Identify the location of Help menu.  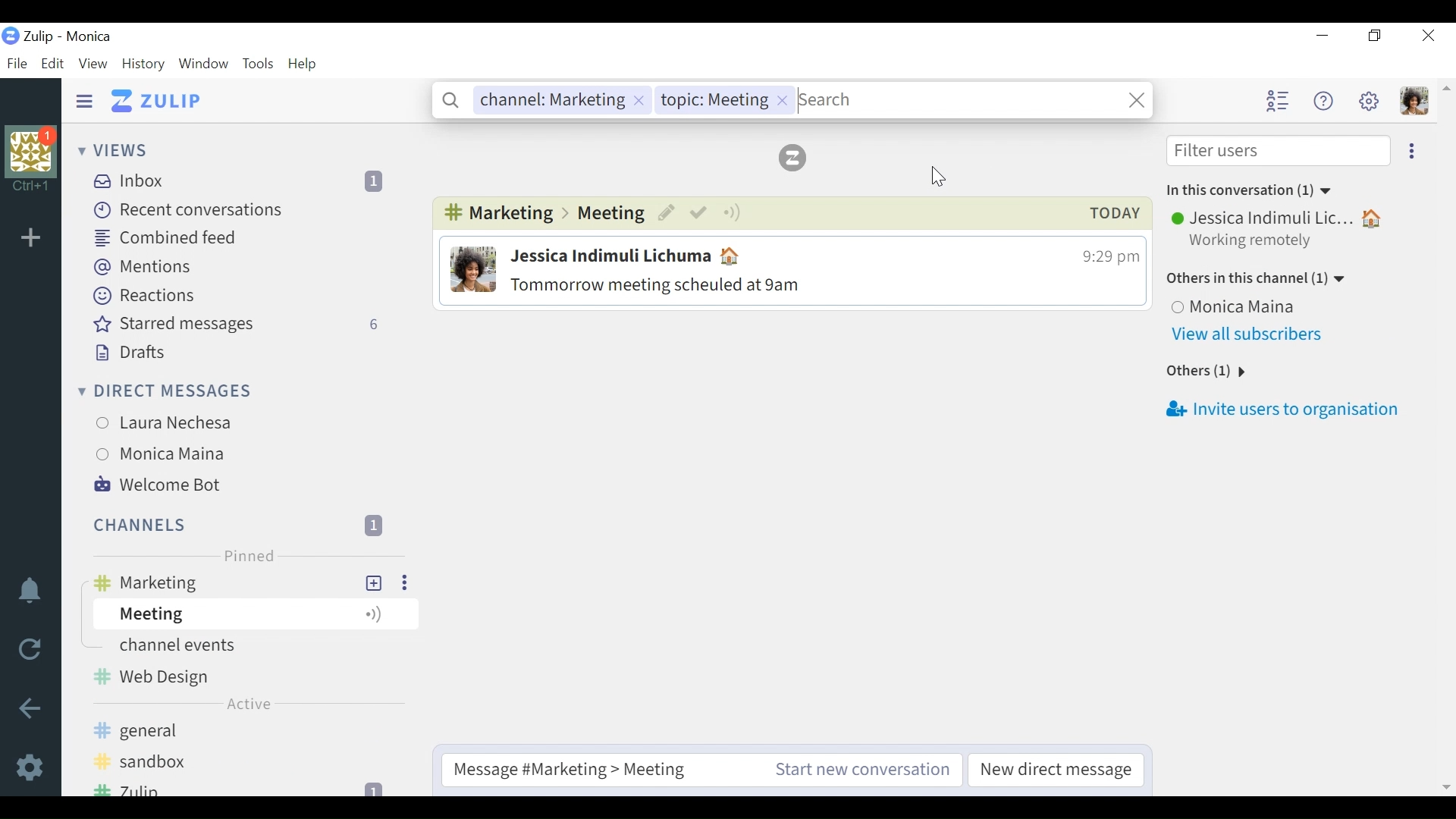
(1322, 101).